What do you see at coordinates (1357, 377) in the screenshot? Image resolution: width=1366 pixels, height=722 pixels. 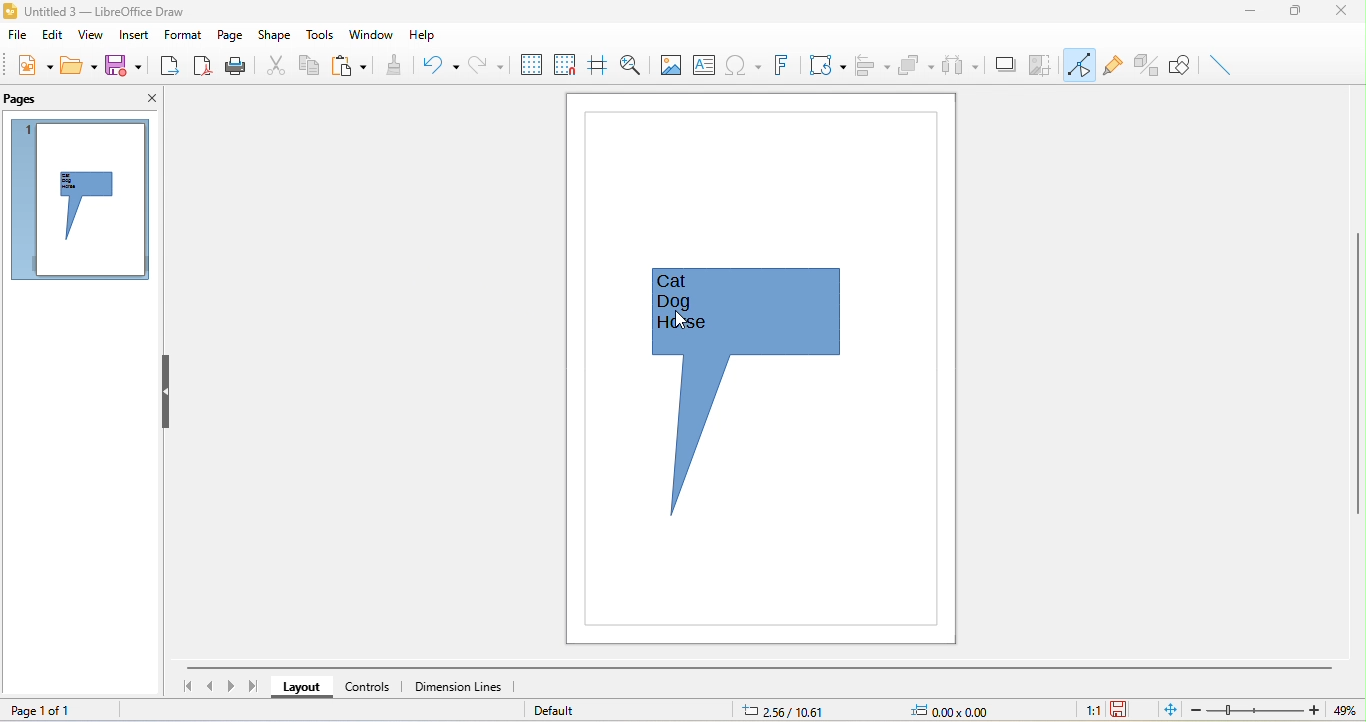 I see `vertical scroll bar` at bounding box center [1357, 377].